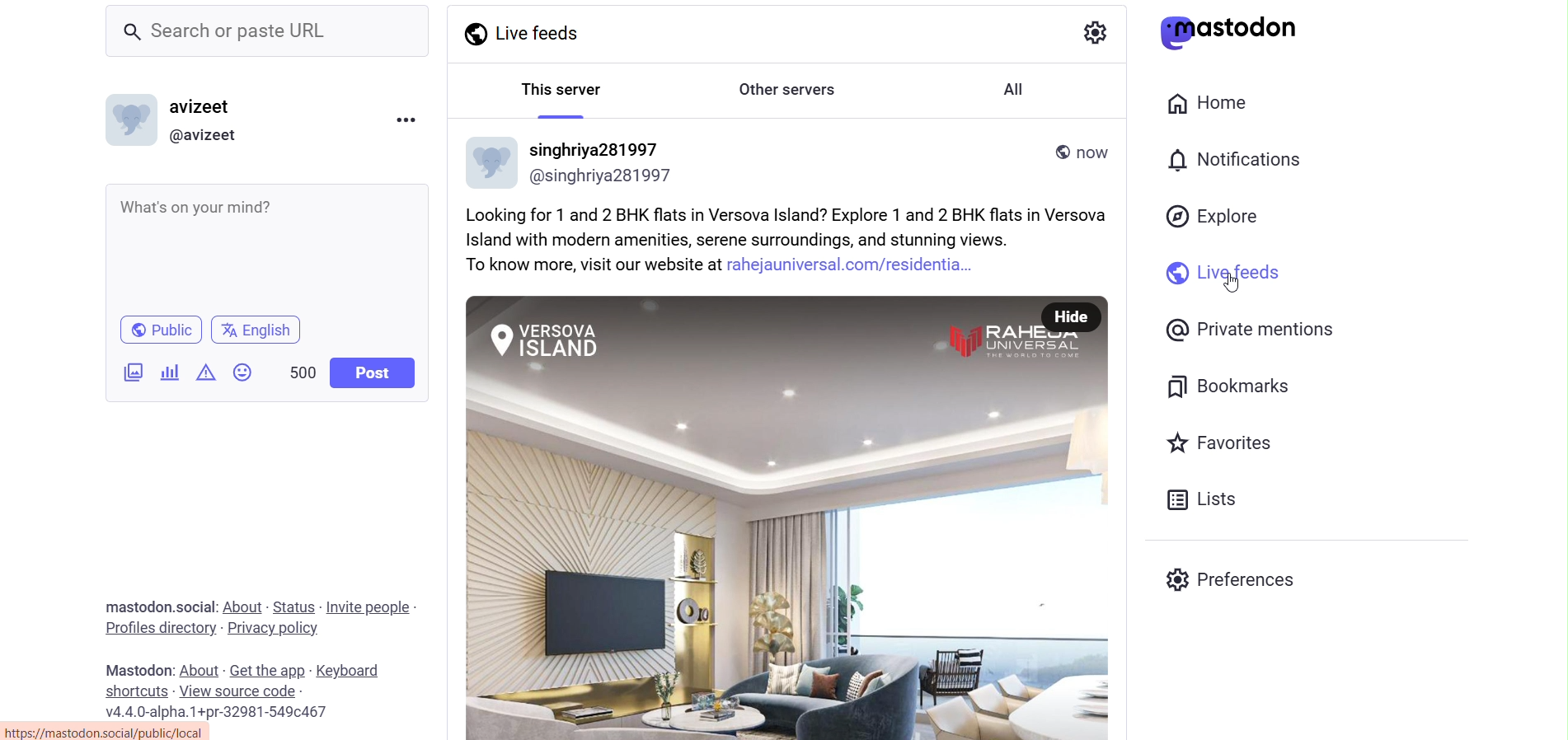  Describe the element at coordinates (1246, 331) in the screenshot. I see `private mention` at that location.